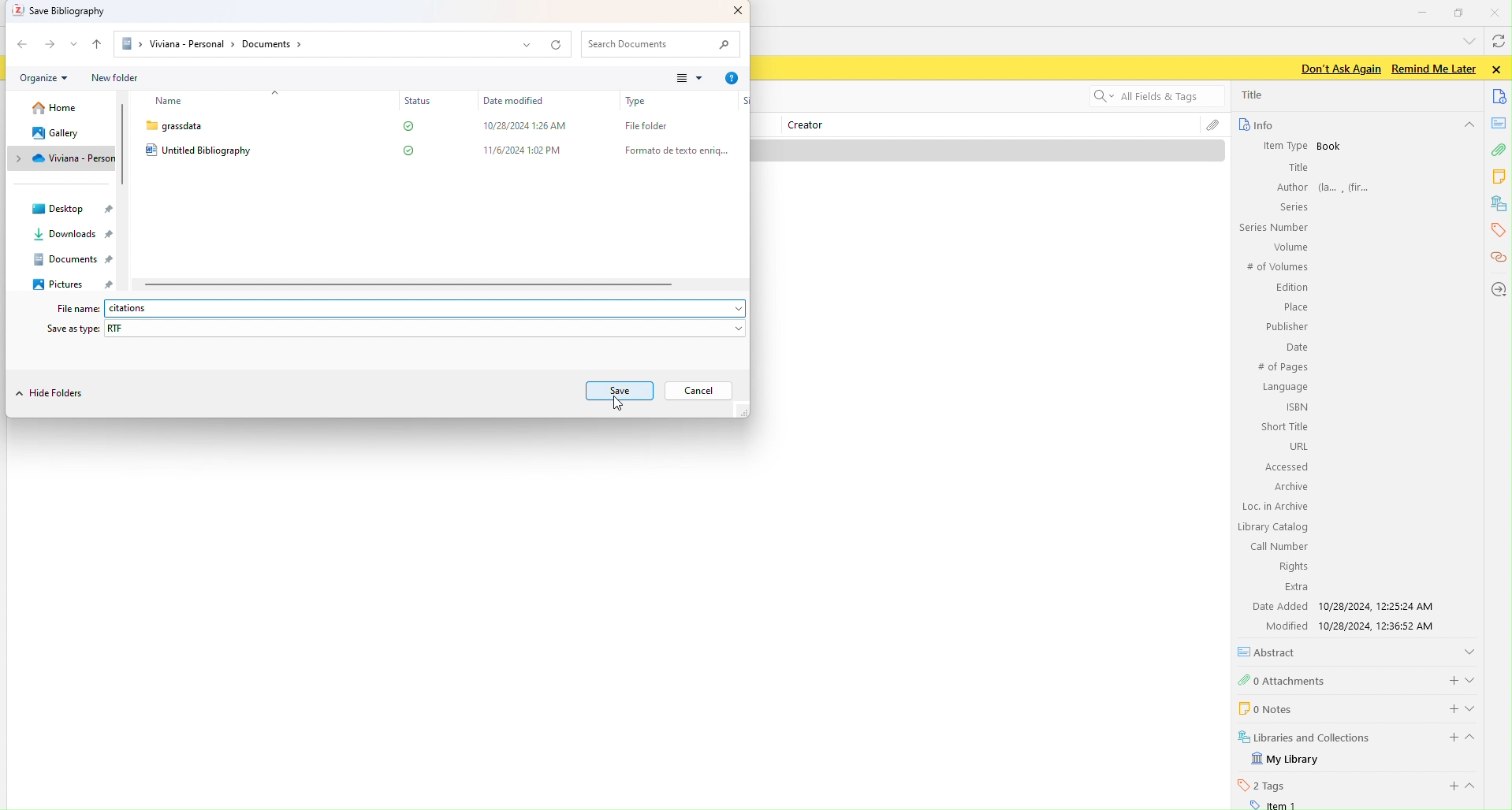 The width and height of the screenshot is (1512, 810). What do you see at coordinates (50, 46) in the screenshot?
I see `next` at bounding box center [50, 46].